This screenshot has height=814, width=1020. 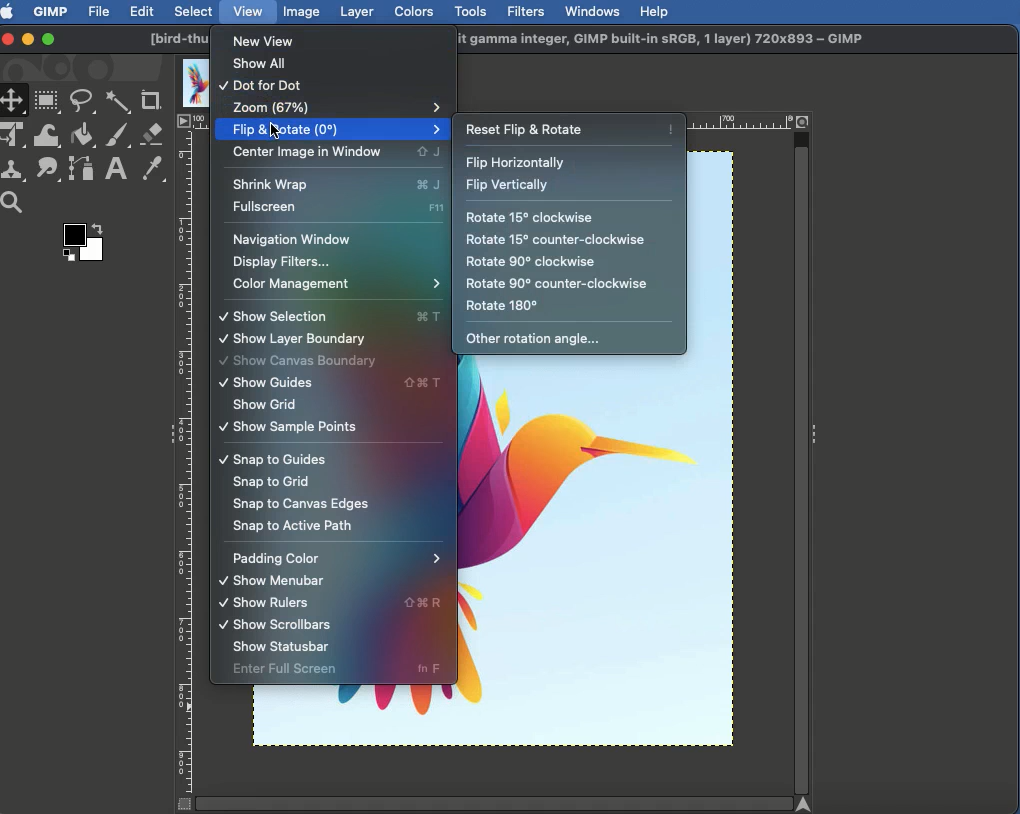 What do you see at coordinates (338, 559) in the screenshot?
I see `Padding color` at bounding box center [338, 559].